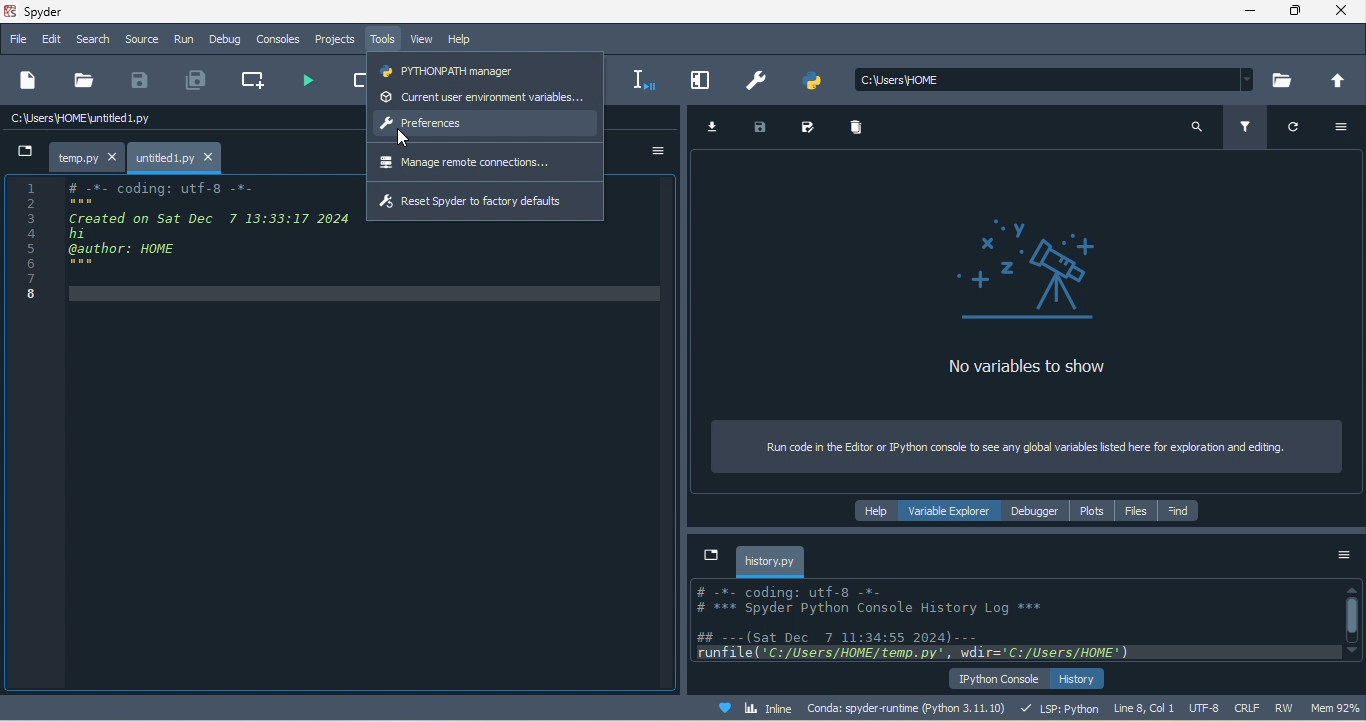 Image resolution: width=1366 pixels, height=722 pixels. Describe the element at coordinates (654, 151) in the screenshot. I see `option` at that location.